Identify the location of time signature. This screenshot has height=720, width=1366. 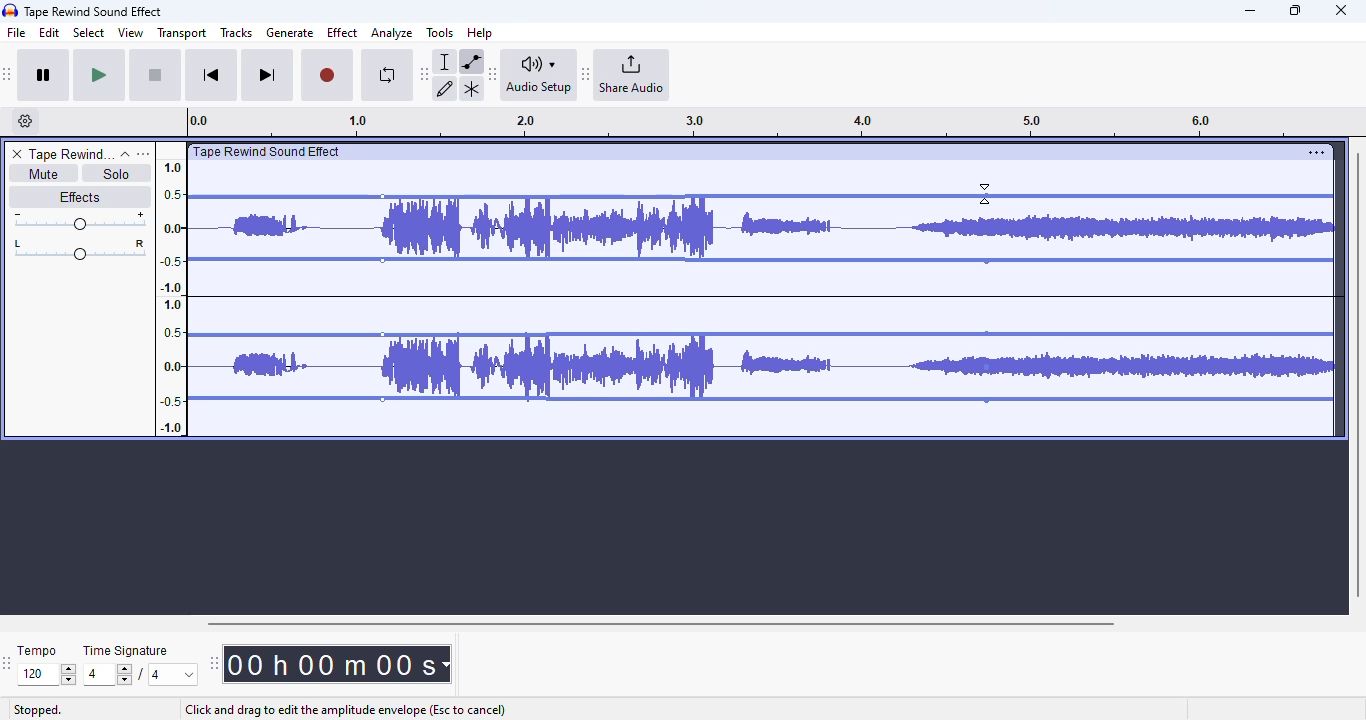
(126, 651).